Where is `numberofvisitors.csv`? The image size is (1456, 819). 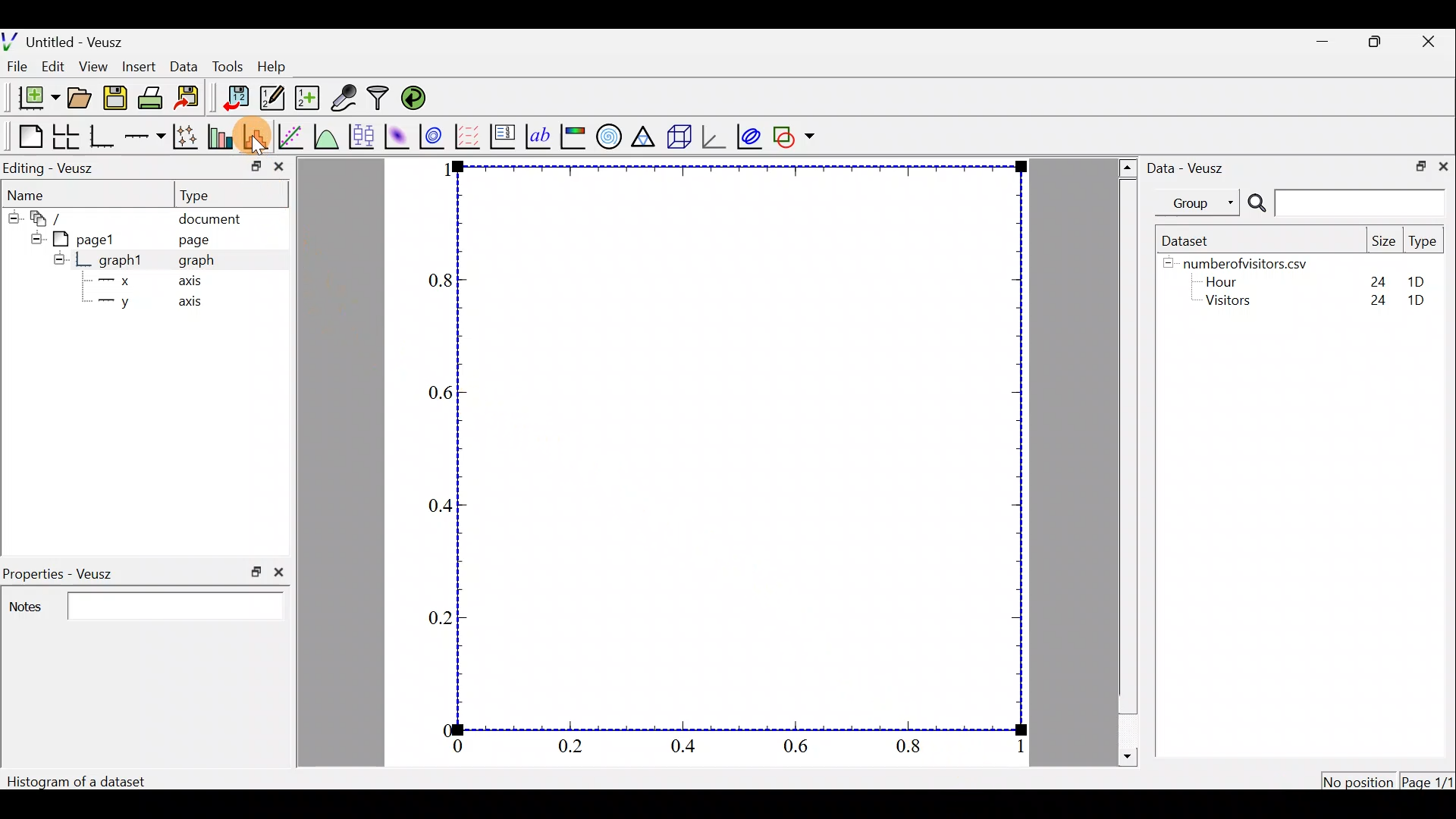
numberofvisitors.csv is located at coordinates (1254, 261).